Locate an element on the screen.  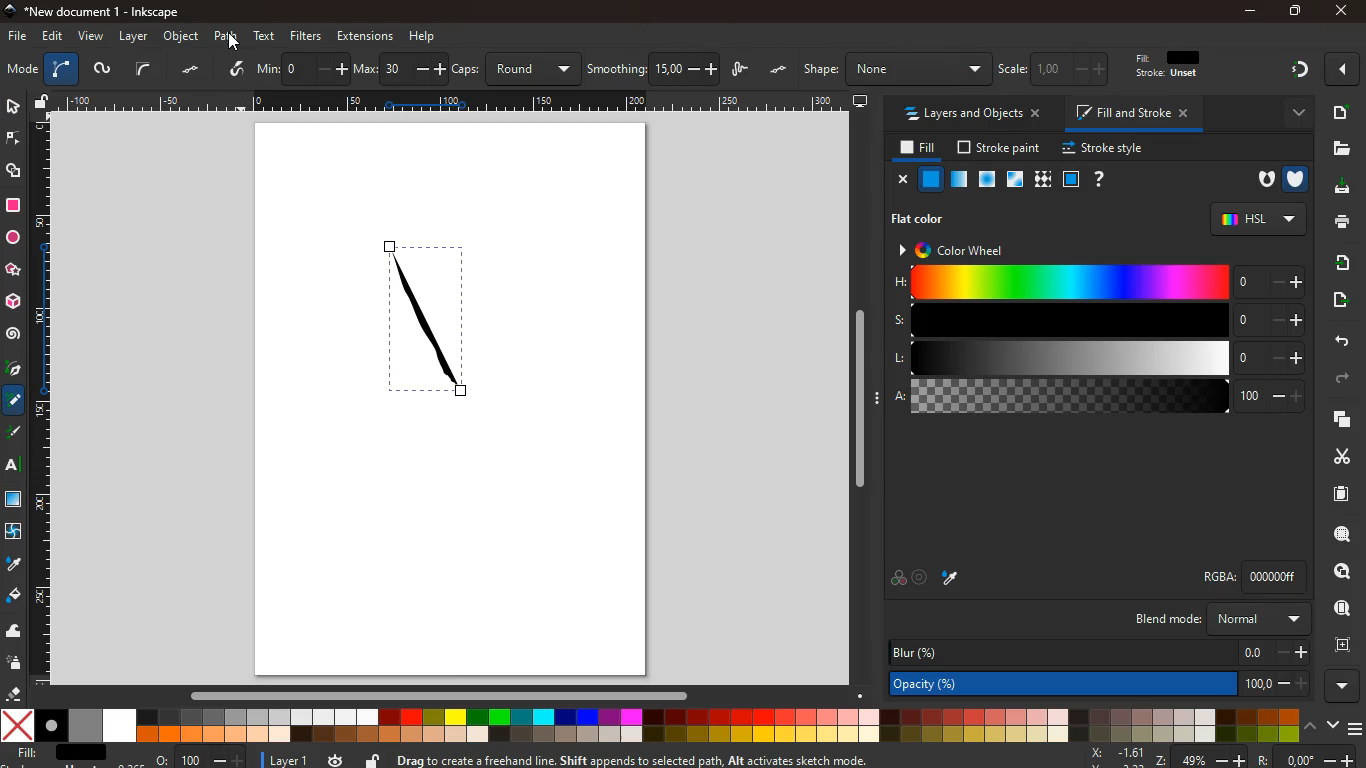
*New document 1 - Inkscape is located at coordinates (90, 12).